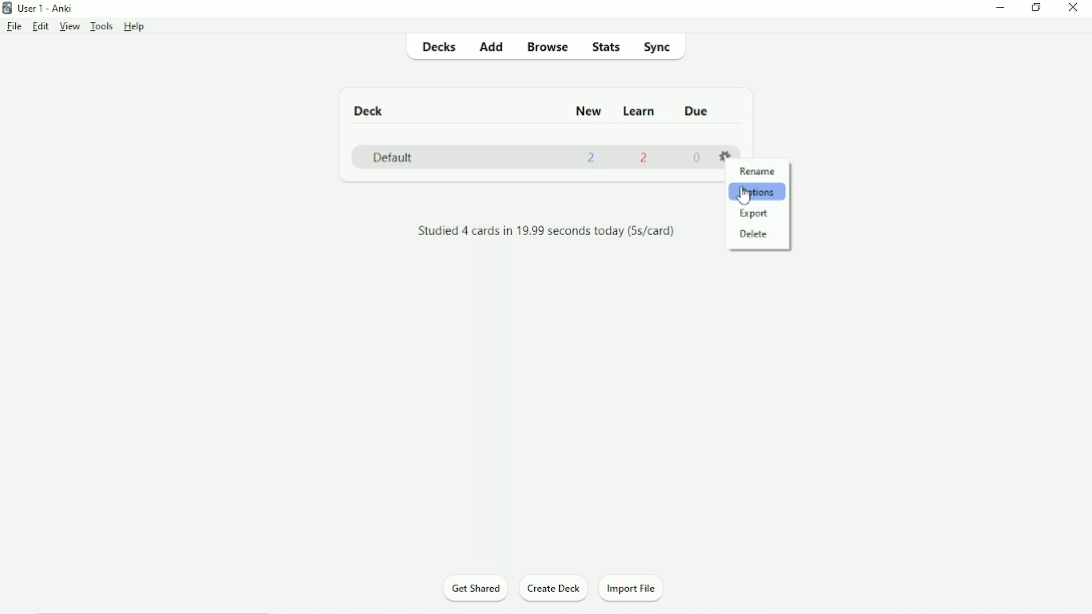 Image resolution: width=1092 pixels, height=614 pixels. I want to click on Browse, so click(549, 49).